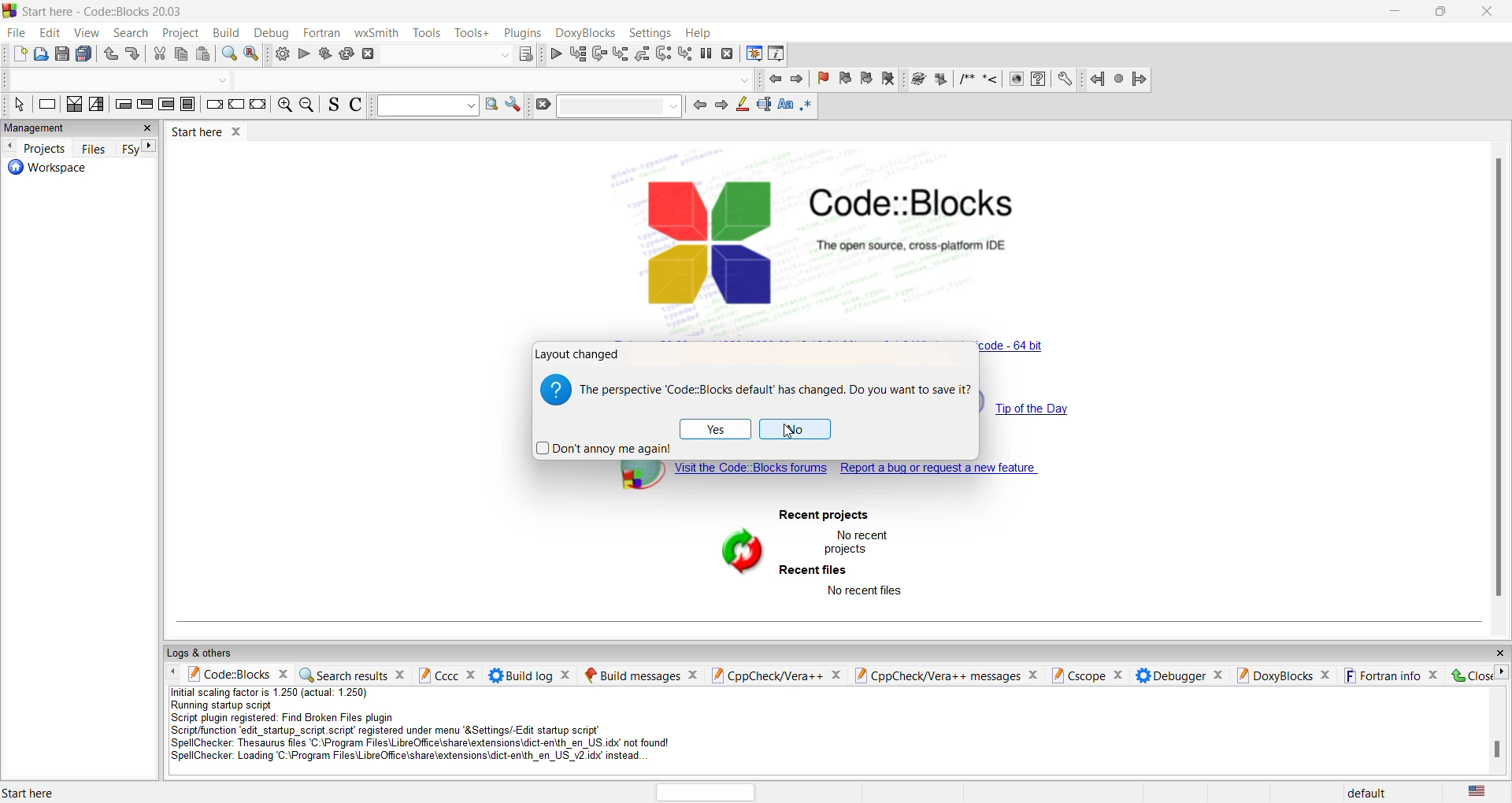 The image size is (1512, 803). What do you see at coordinates (1043, 80) in the screenshot?
I see `faq` at bounding box center [1043, 80].